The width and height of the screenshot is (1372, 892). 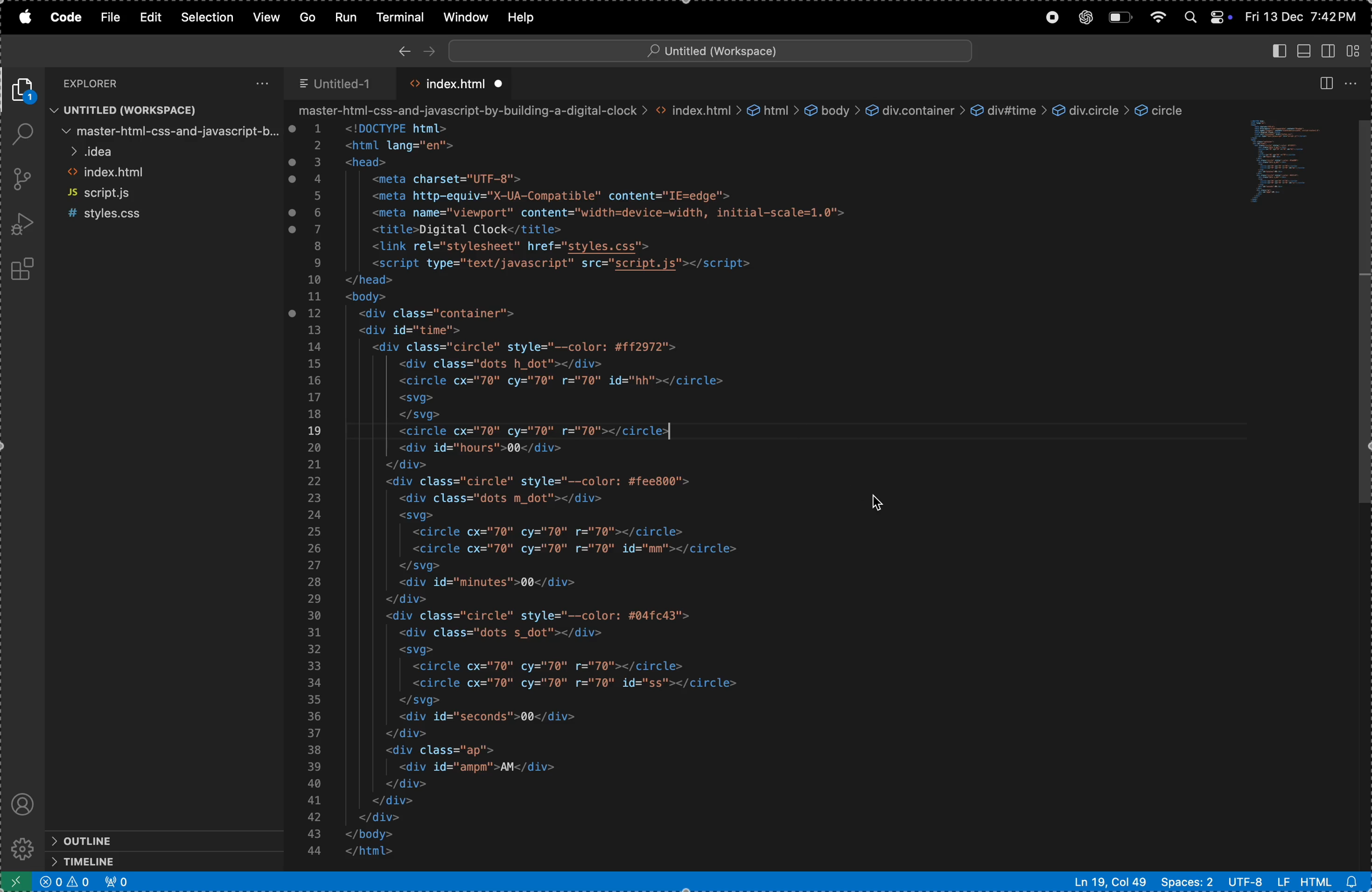 I want to click on master html css java script, so click(x=165, y=131).